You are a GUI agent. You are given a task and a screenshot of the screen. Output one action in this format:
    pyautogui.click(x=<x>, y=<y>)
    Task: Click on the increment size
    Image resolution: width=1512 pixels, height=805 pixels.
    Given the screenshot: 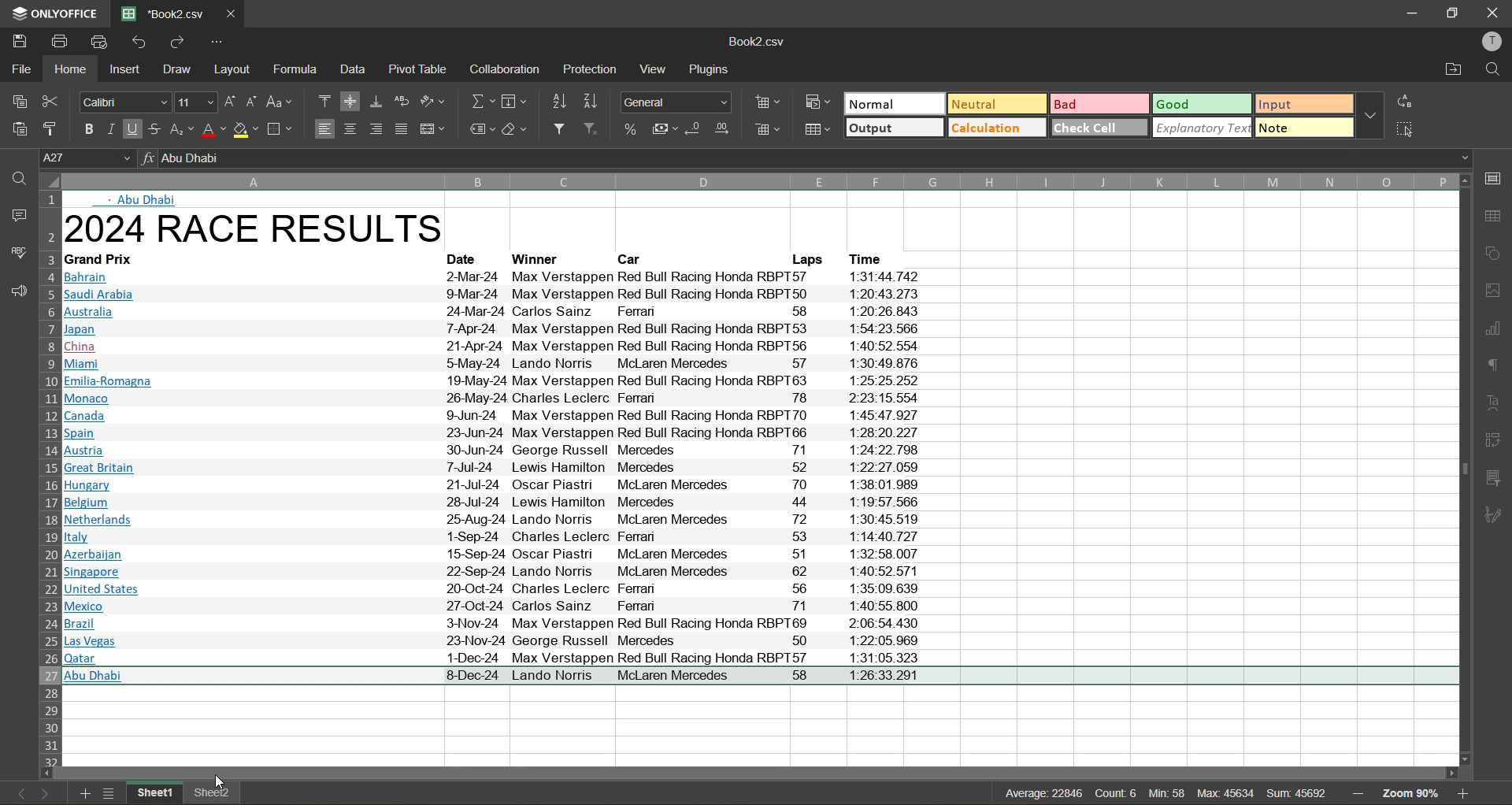 What is the action you would take?
    pyautogui.click(x=228, y=102)
    